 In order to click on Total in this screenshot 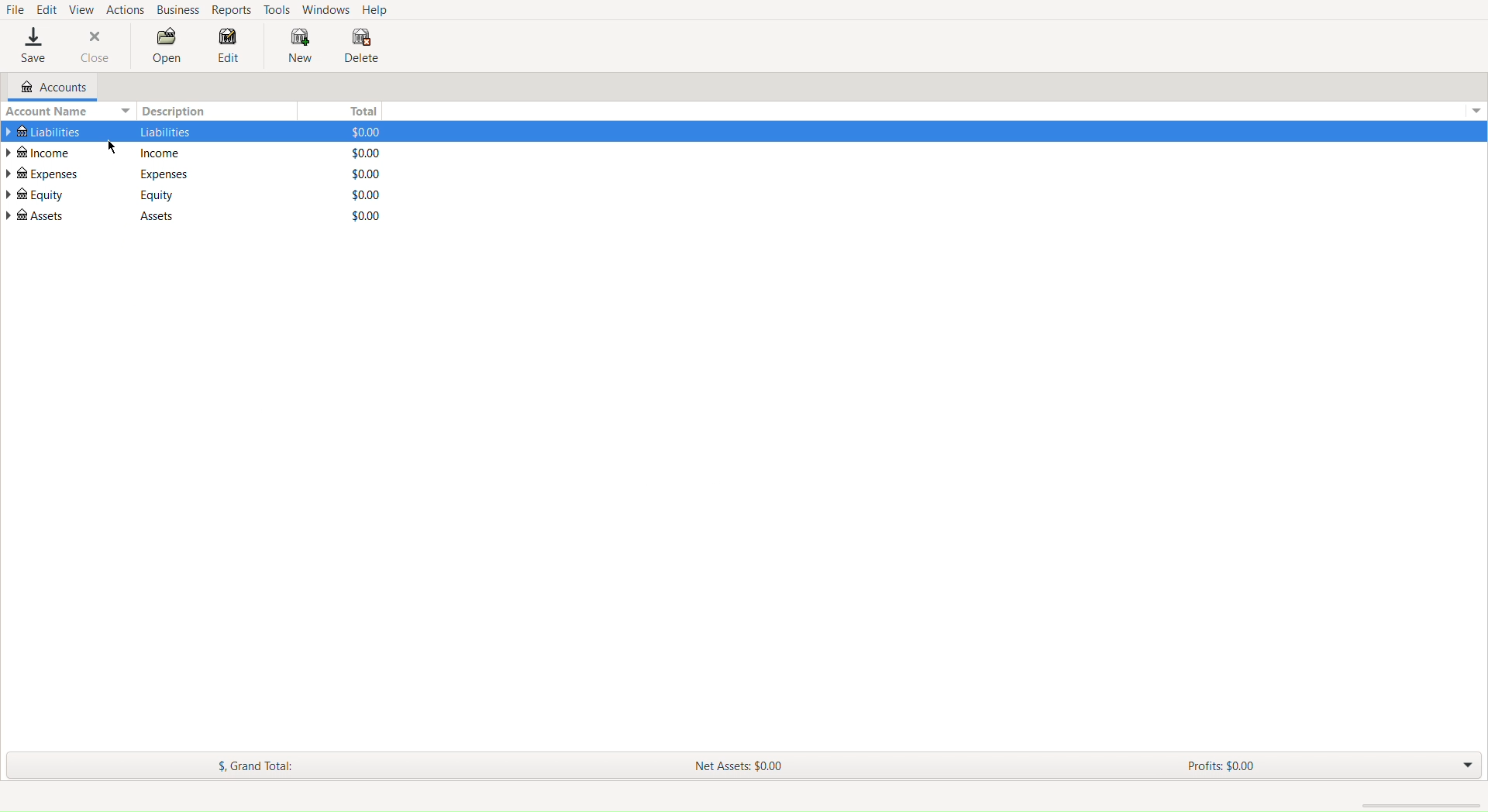, I will do `click(361, 111)`.